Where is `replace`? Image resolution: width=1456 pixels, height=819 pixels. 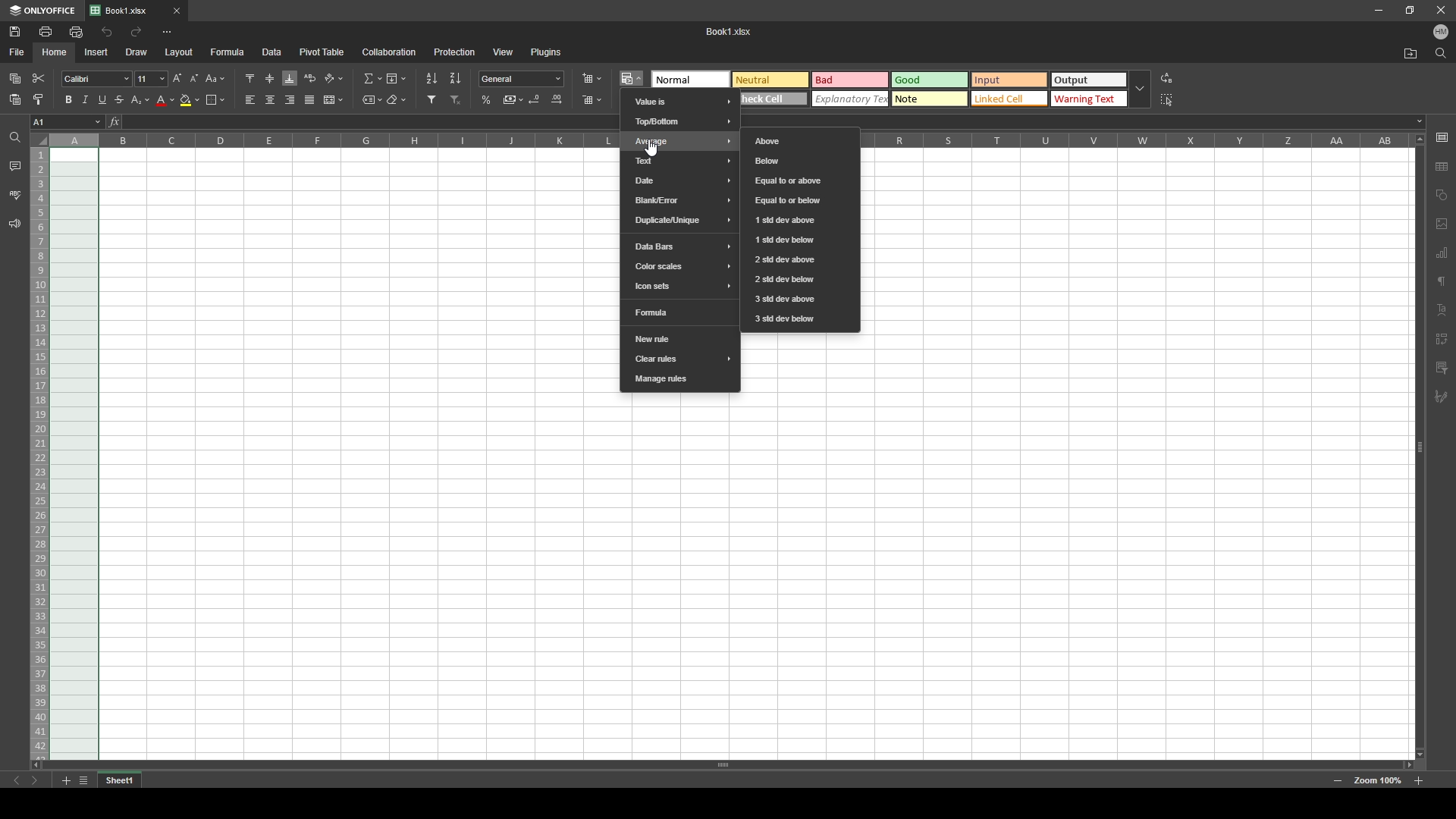 replace is located at coordinates (1168, 79).